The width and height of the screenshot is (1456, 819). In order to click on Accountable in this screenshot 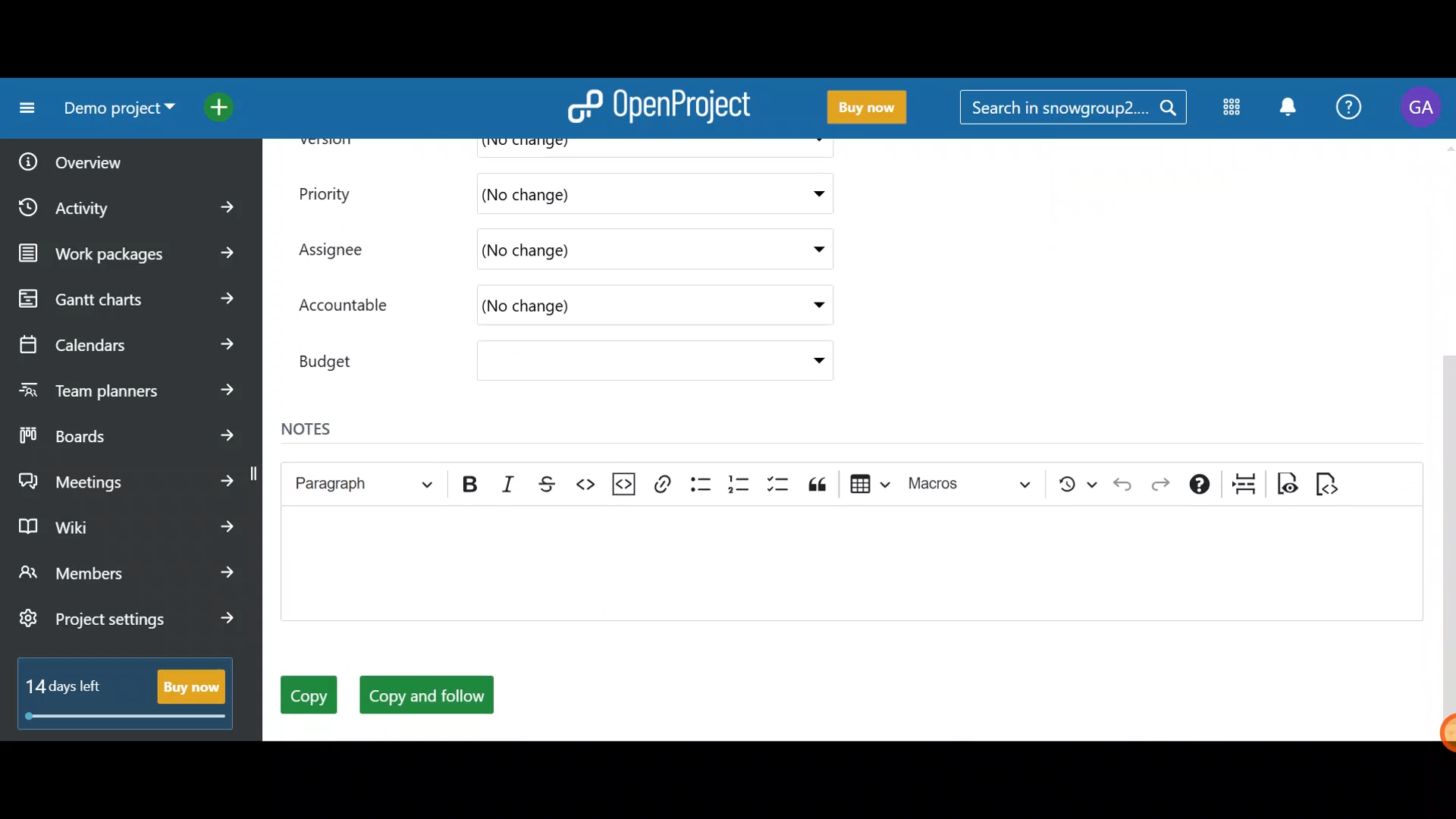, I will do `click(345, 306)`.